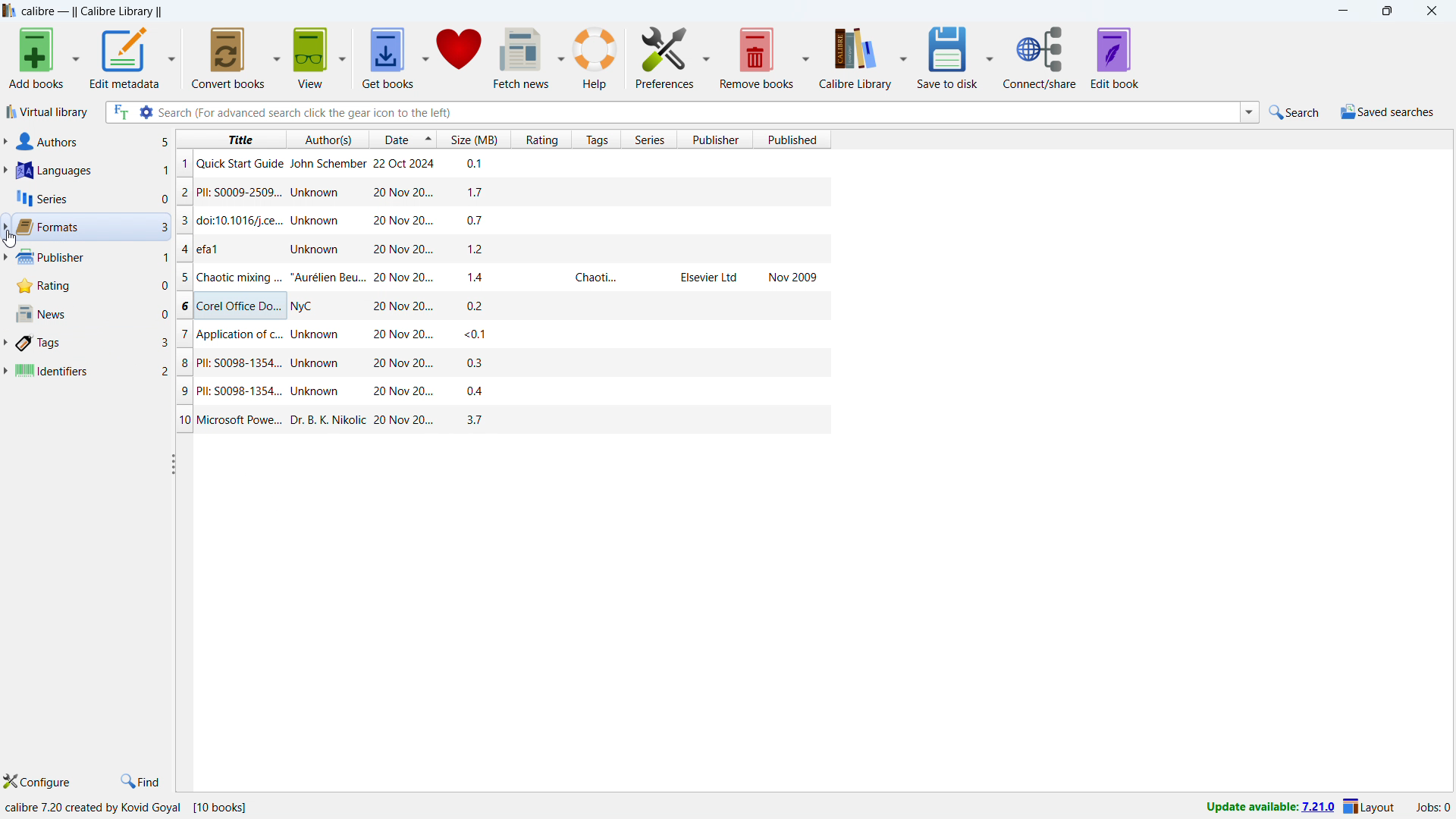  I want to click on select sorting order, so click(426, 138).